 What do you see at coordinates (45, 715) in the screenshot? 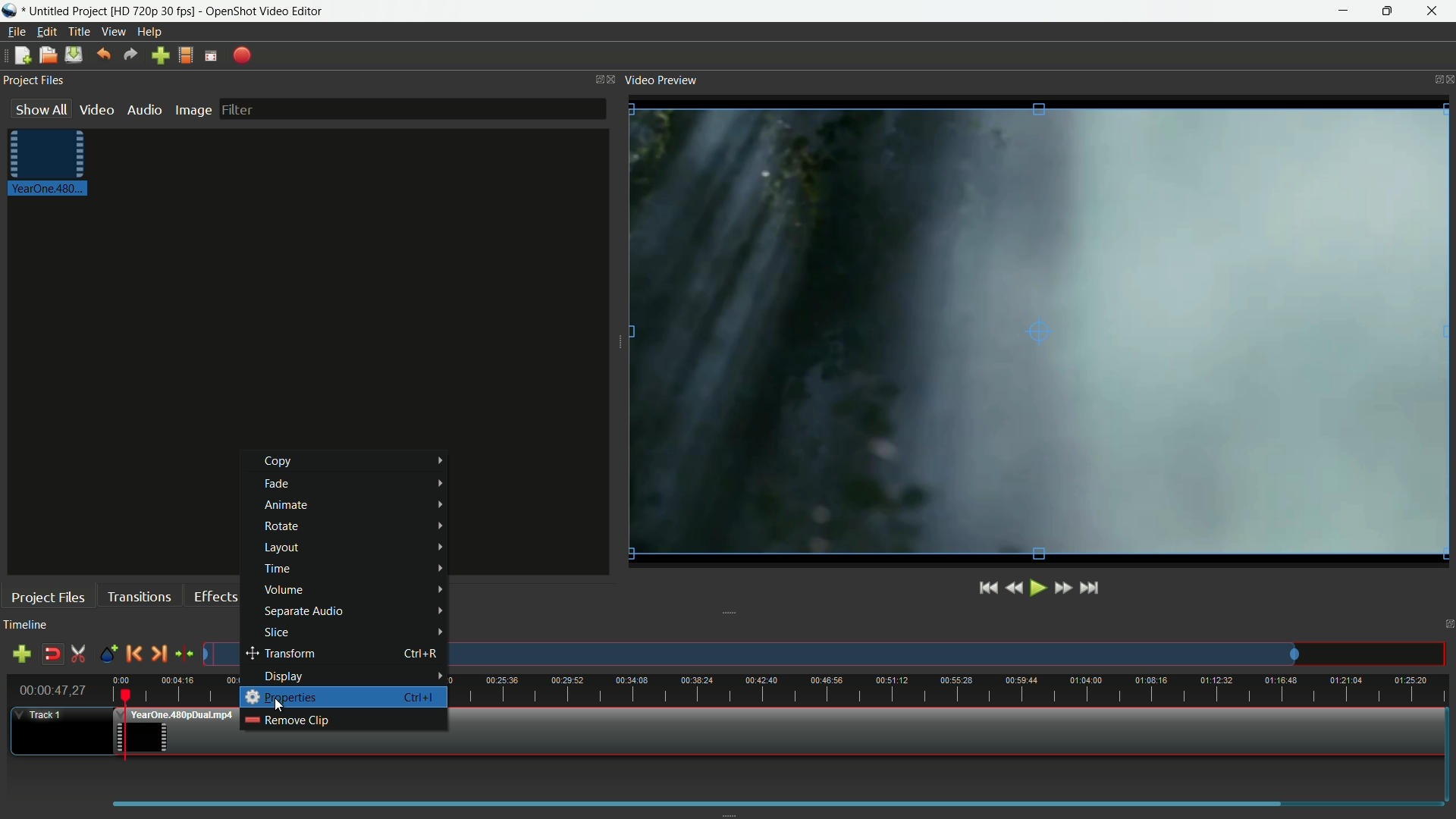
I see `track 1` at bounding box center [45, 715].